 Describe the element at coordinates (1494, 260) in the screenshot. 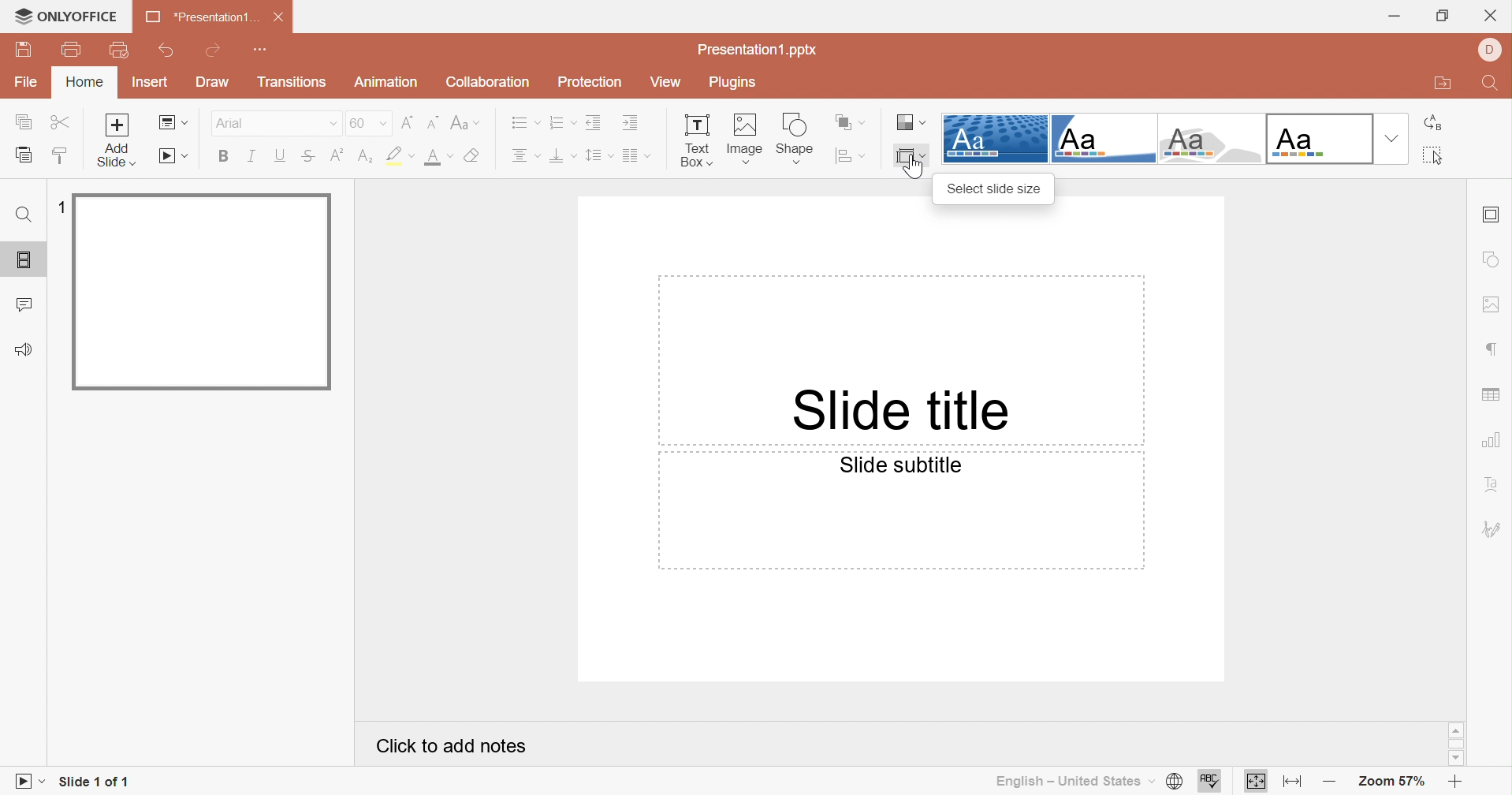

I see `Shape settings` at that location.